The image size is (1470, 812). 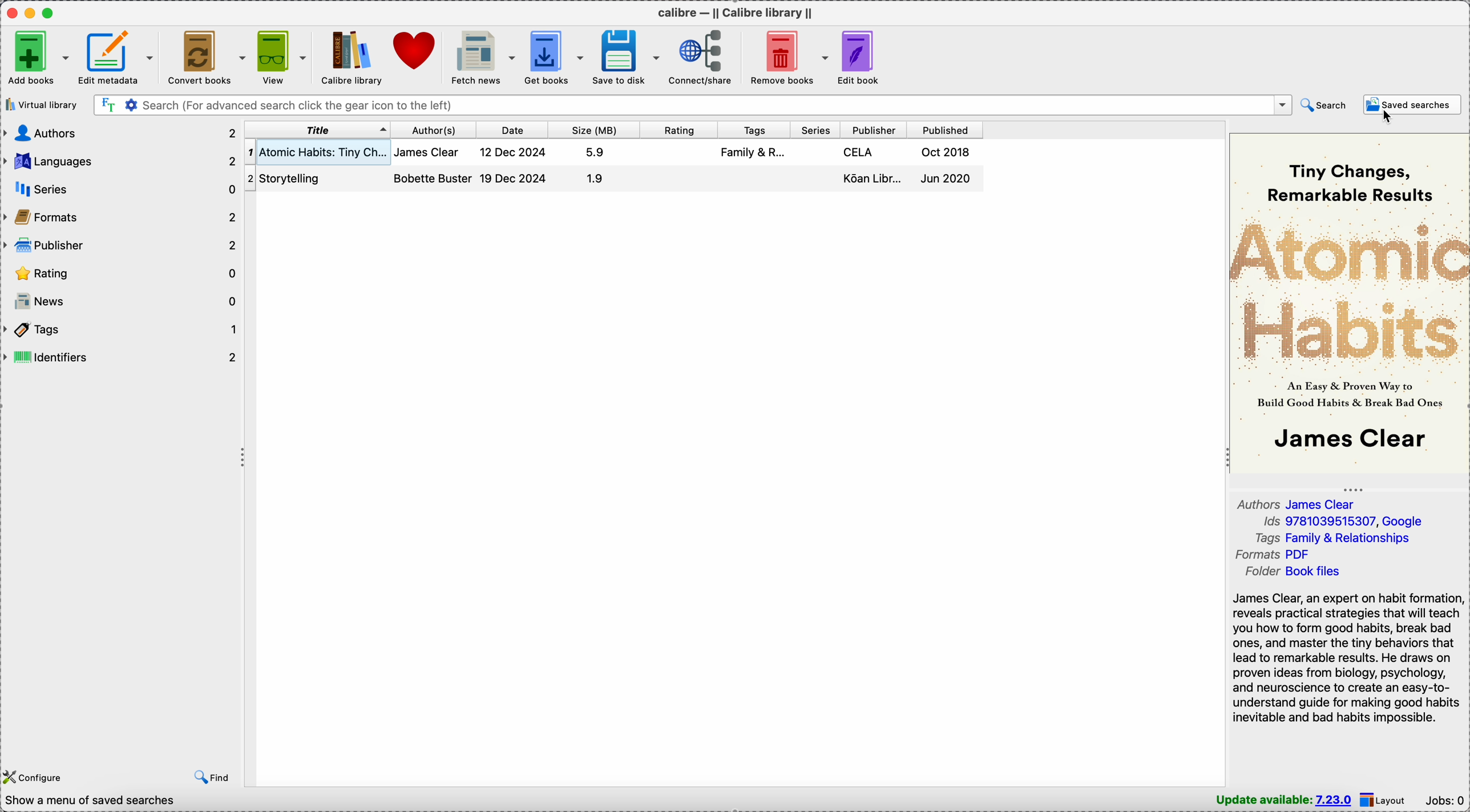 I want to click on cursor, so click(x=1386, y=118).